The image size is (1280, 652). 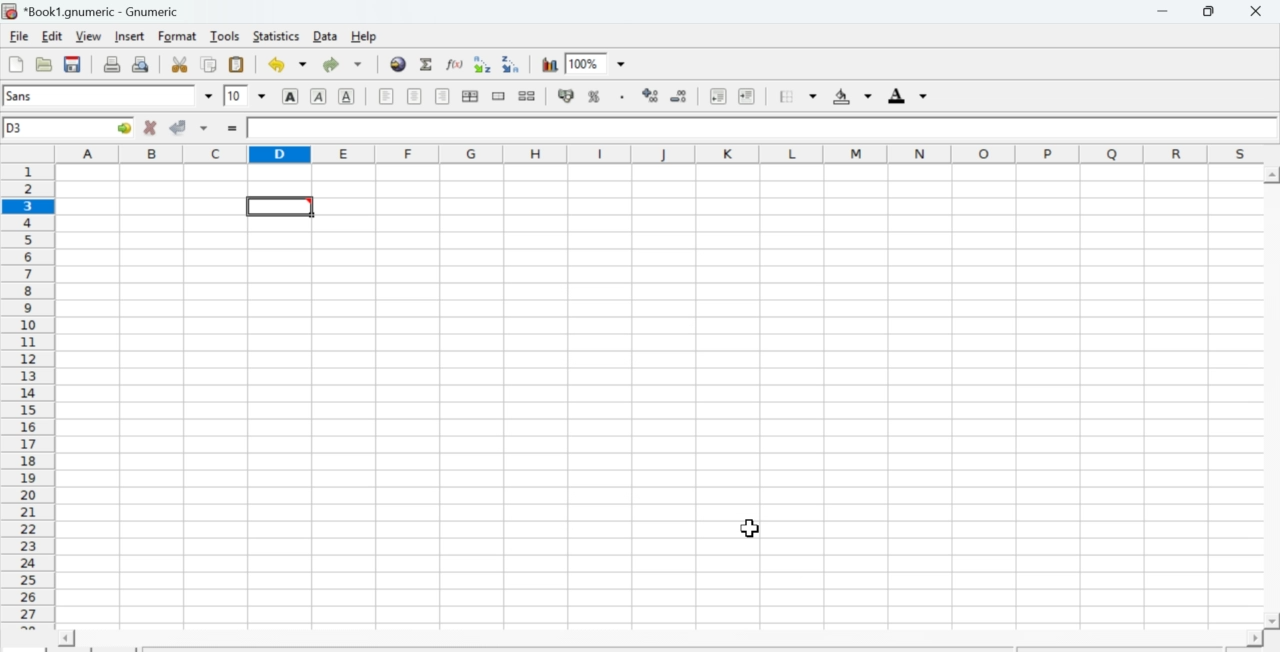 I want to click on Insert, so click(x=130, y=35).